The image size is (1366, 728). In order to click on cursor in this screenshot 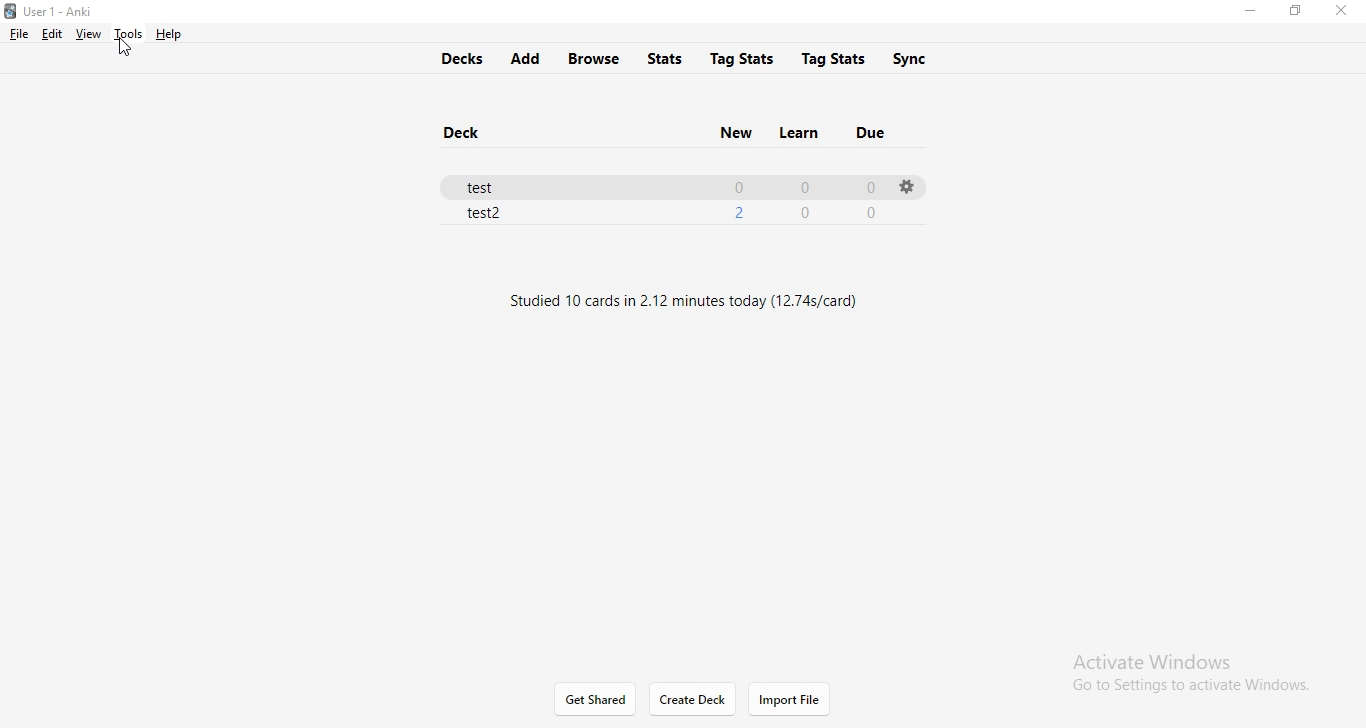, I will do `click(127, 48)`.